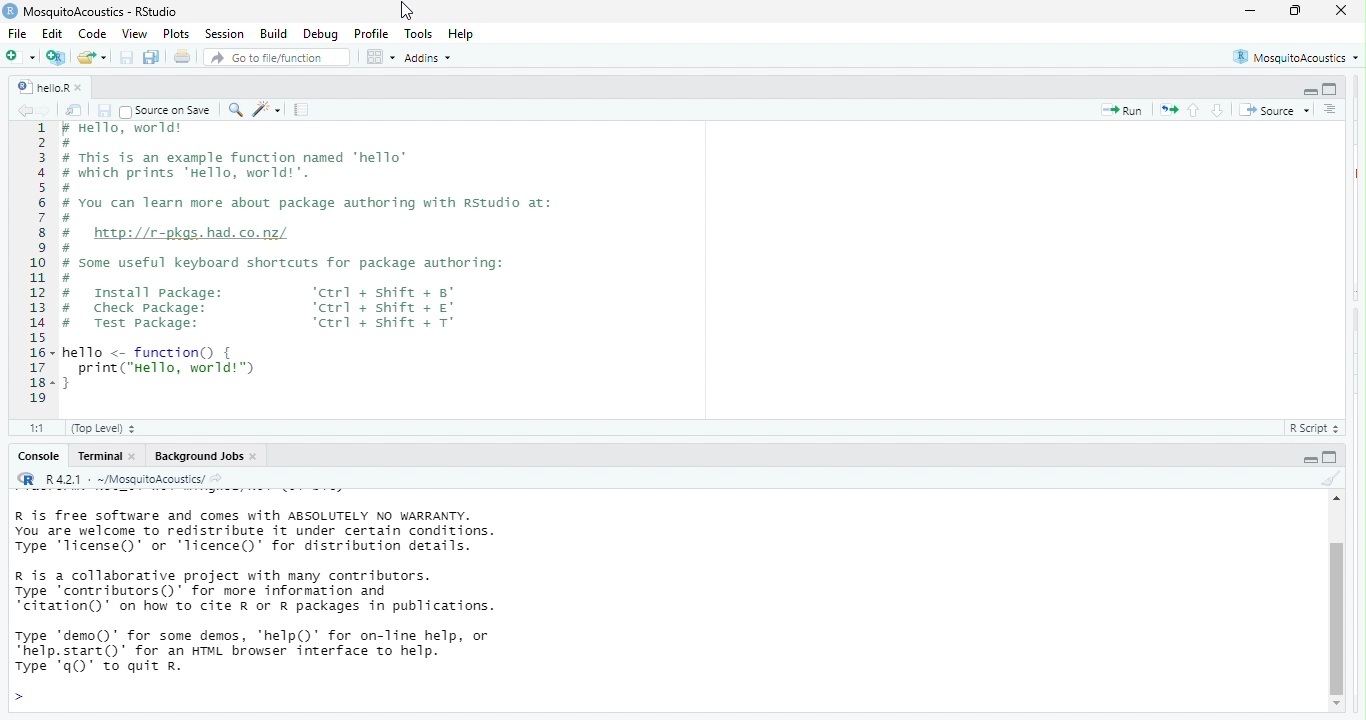 The height and width of the screenshot is (720, 1366). What do you see at coordinates (135, 478) in the screenshot?
I see `r 4.2.1~/MosquitoAcoustics/` at bounding box center [135, 478].